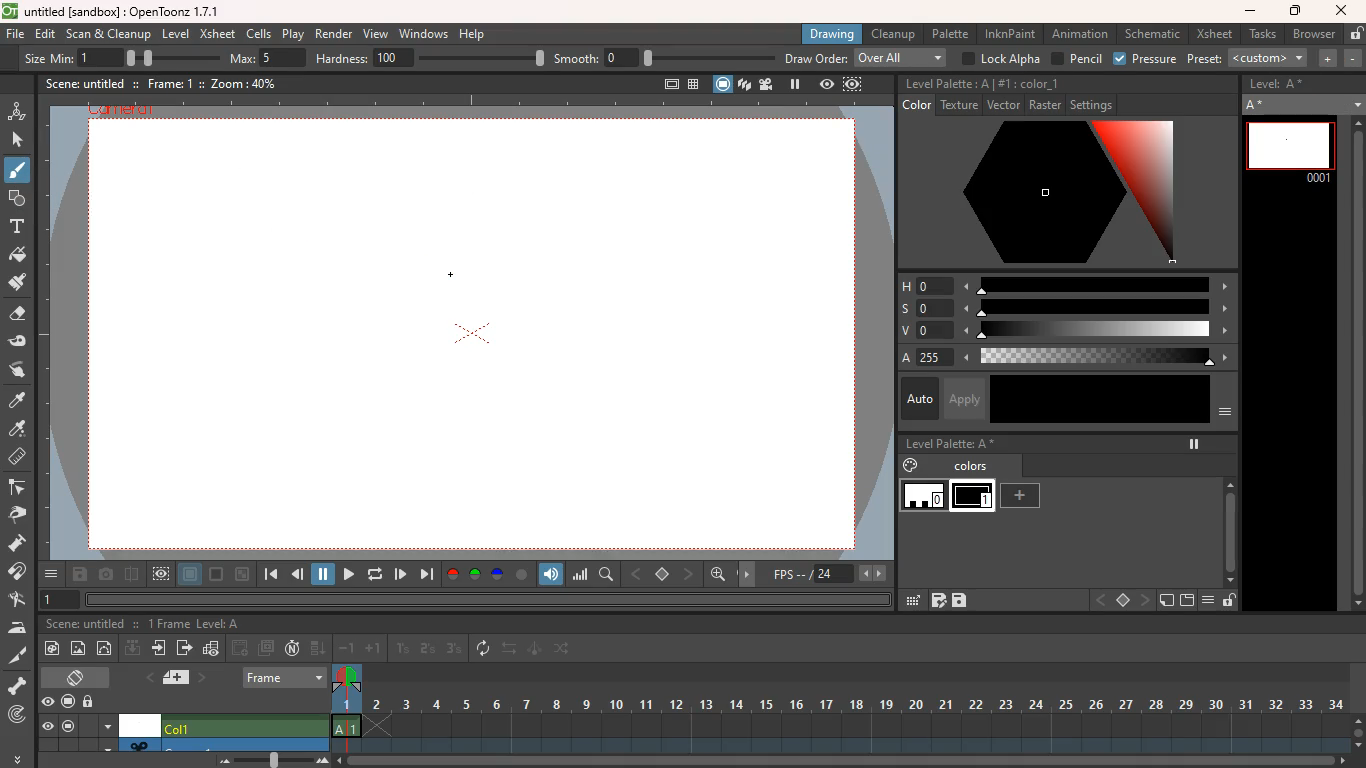 The width and height of the screenshot is (1366, 768). What do you see at coordinates (292, 650) in the screenshot?
I see `n` at bounding box center [292, 650].